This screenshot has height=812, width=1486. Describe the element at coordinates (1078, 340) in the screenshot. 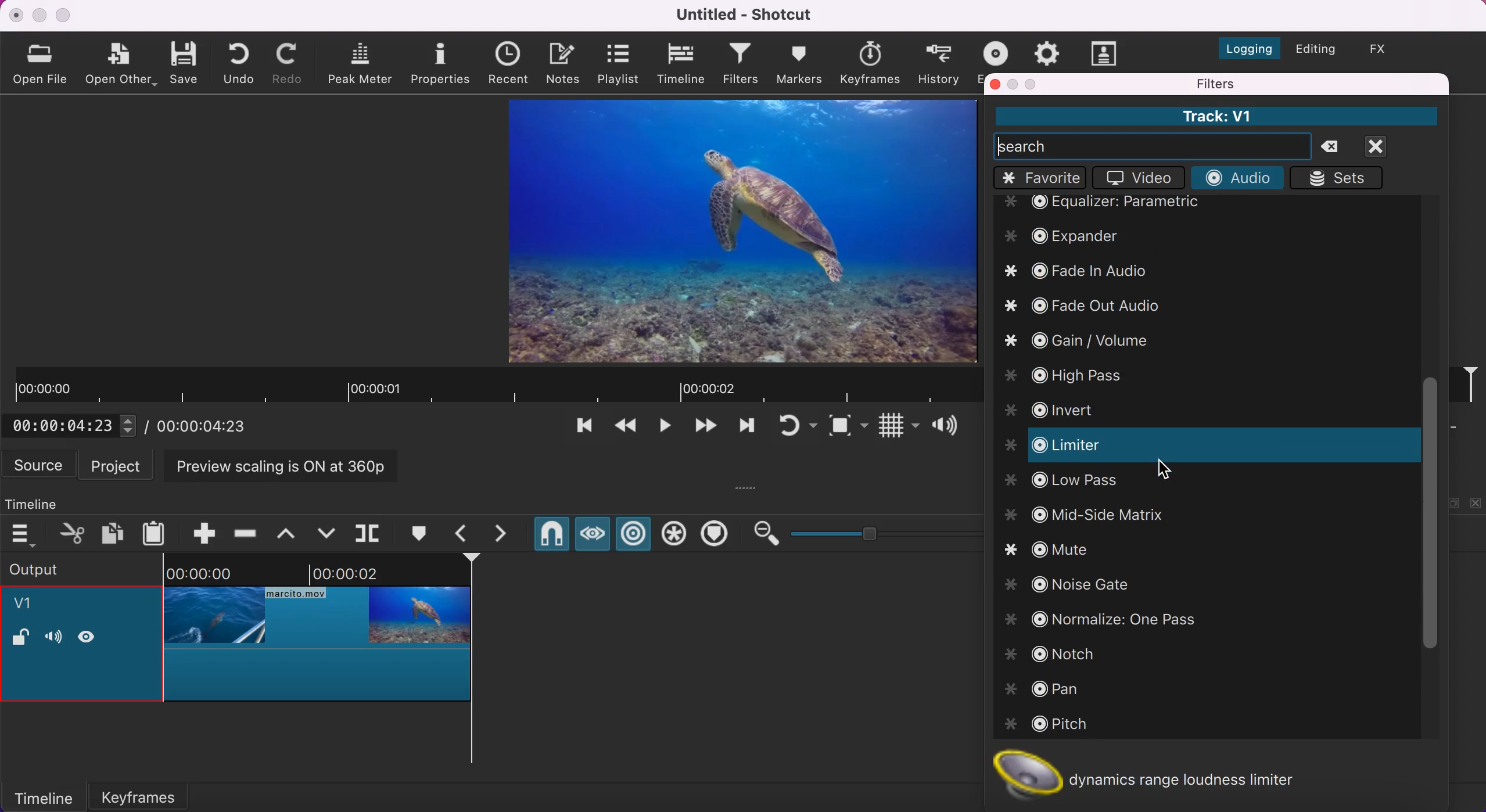

I see `gain/volume` at that location.